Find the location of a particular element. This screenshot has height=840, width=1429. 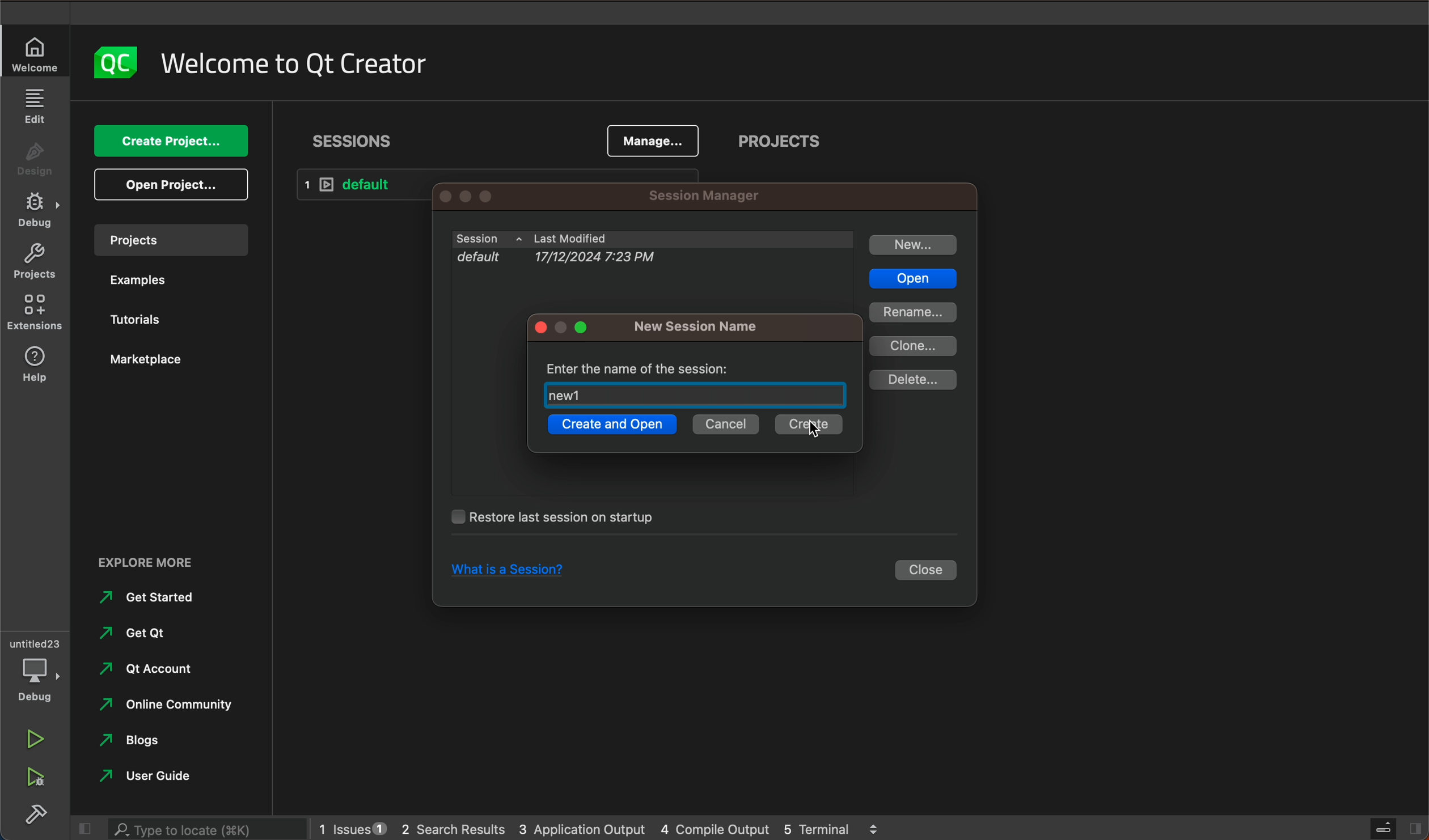

rename is located at coordinates (912, 312).